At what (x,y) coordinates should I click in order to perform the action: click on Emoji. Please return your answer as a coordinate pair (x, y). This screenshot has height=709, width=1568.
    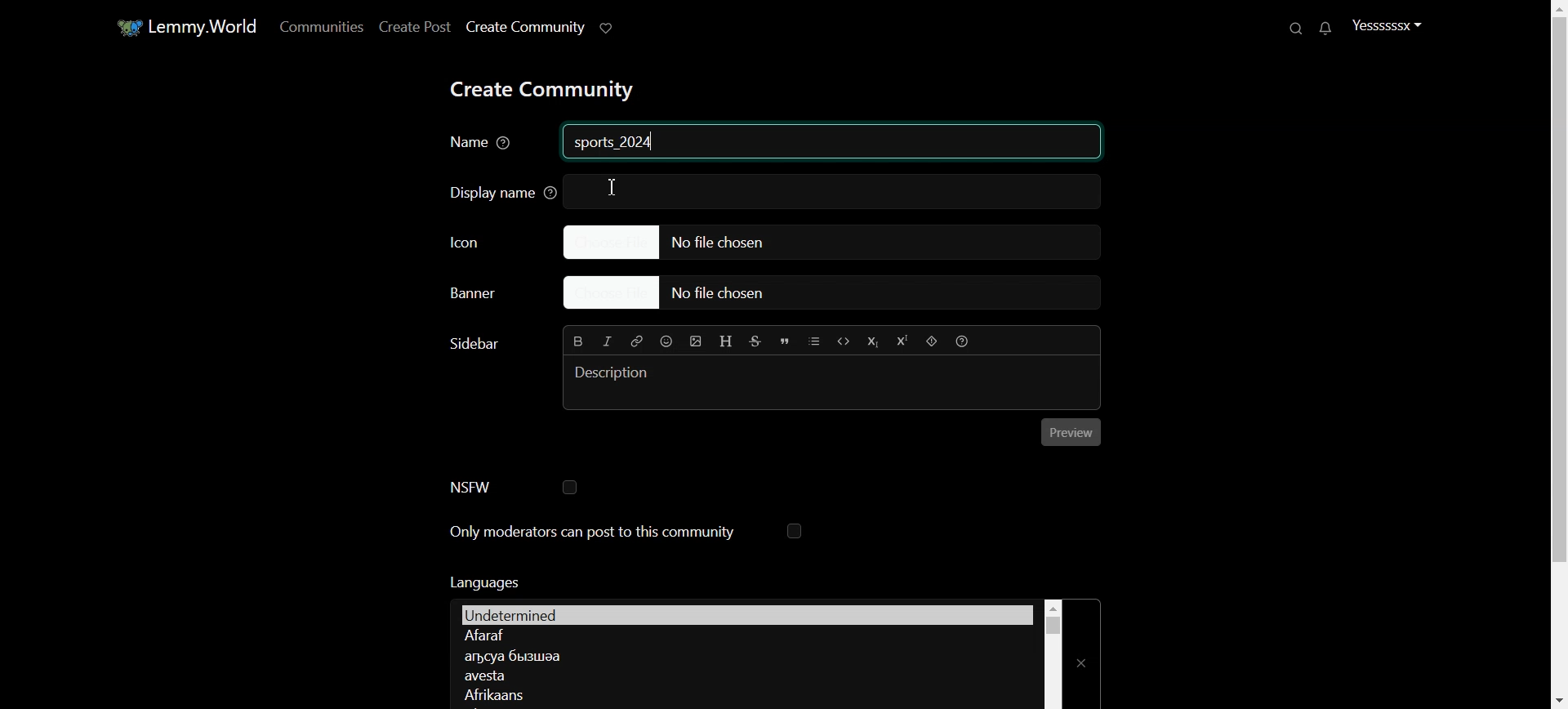
    Looking at the image, I should click on (667, 341).